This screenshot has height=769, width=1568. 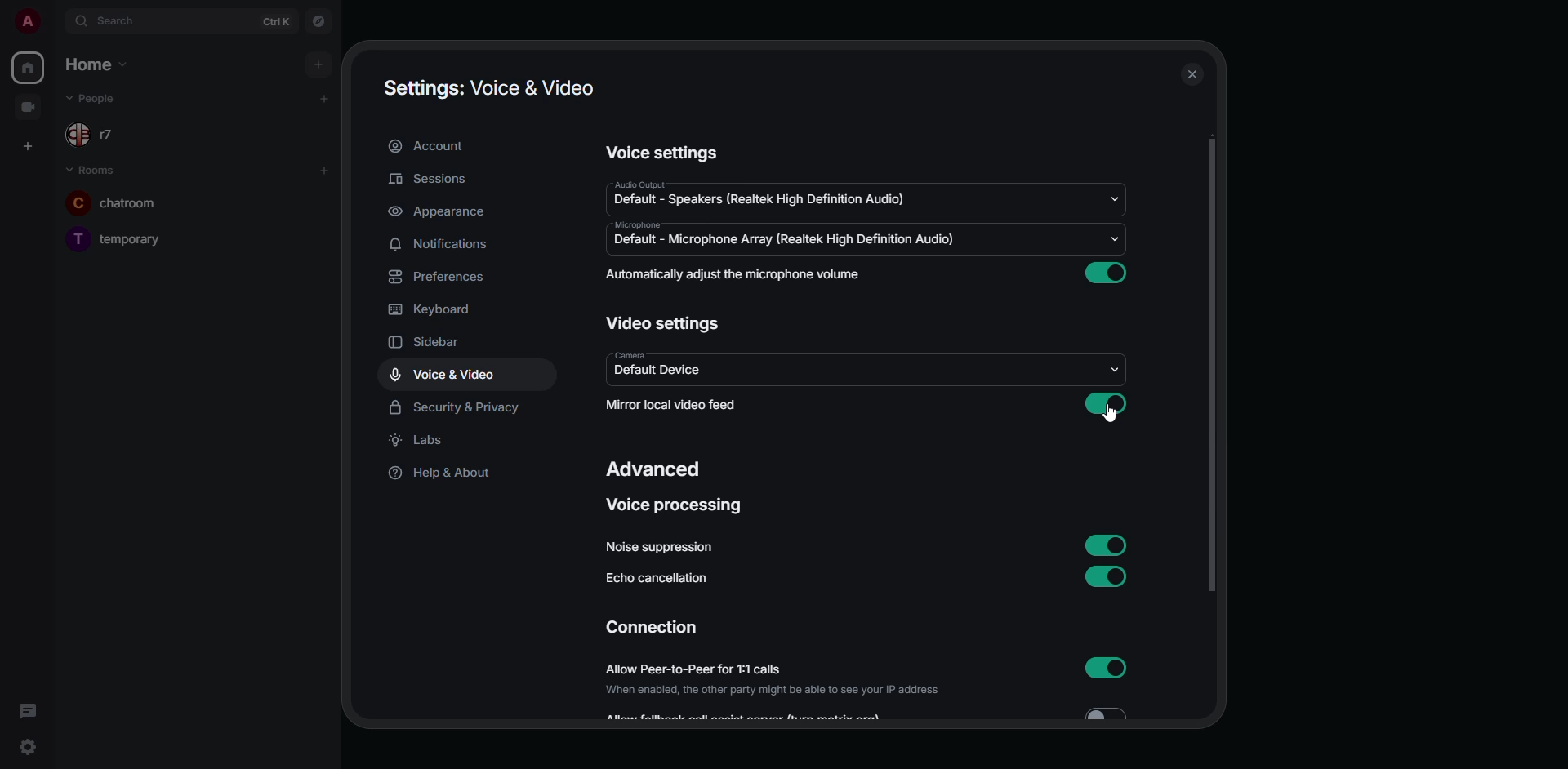 I want to click on Allow feedback, so click(x=750, y=716).